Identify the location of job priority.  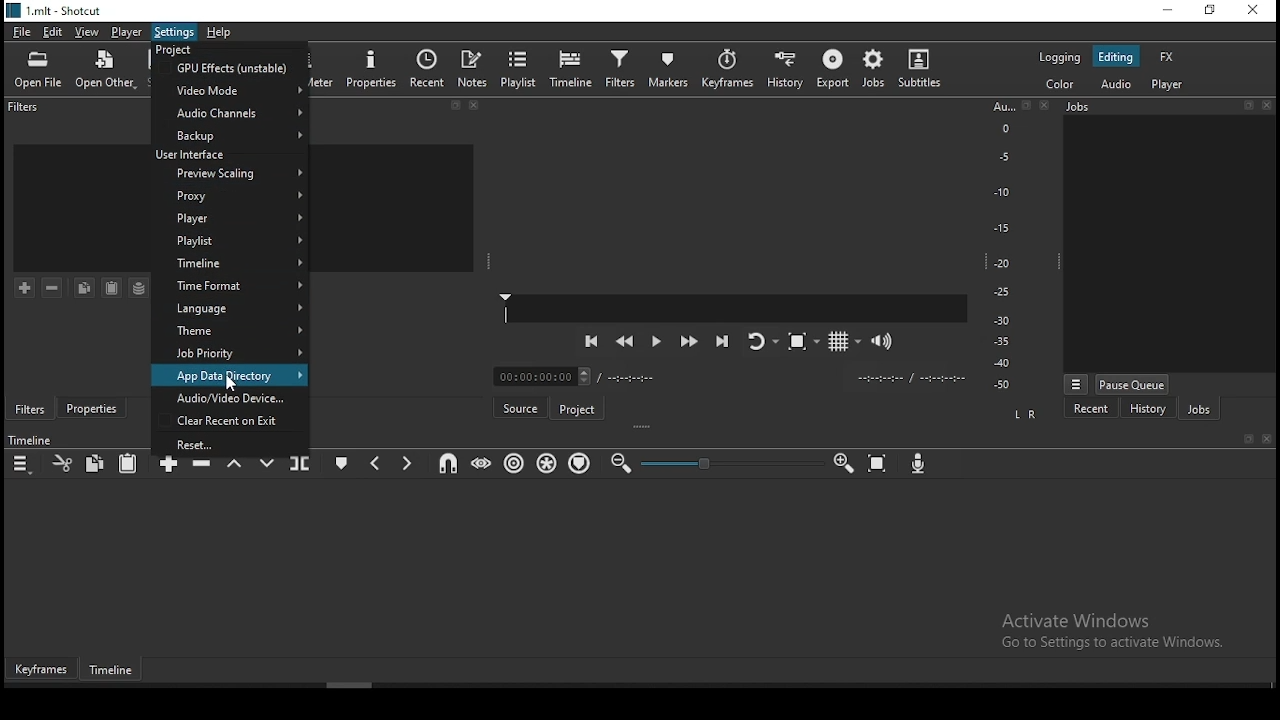
(230, 352).